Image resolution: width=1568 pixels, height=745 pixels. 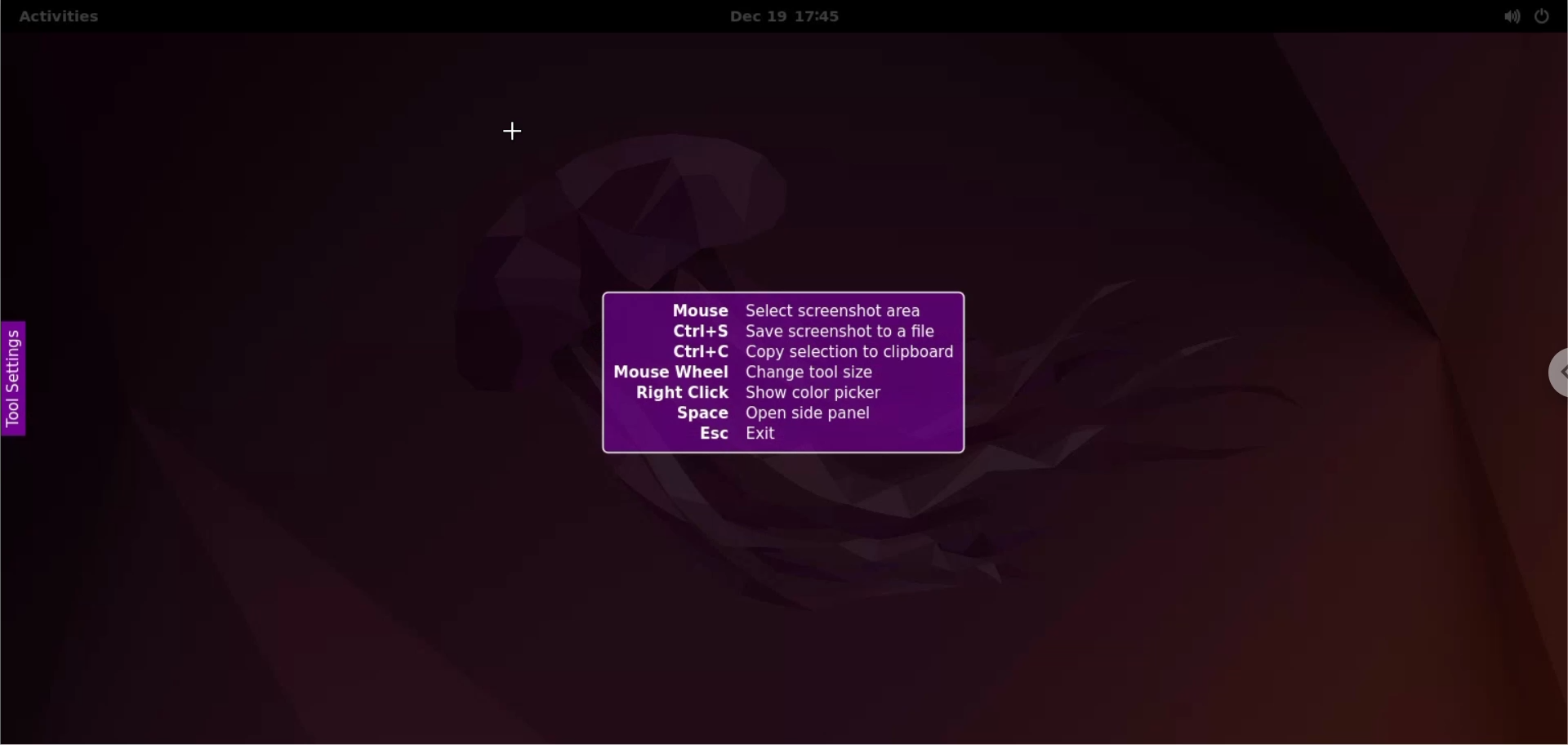 What do you see at coordinates (784, 372) in the screenshot?
I see `Mouse Select screenshot areaCtrl+S Save screenshot to a fileCtrl+C Copy selection to clipboardMouse Wheel Change tool sizeRight Click Show color pickerSpace Open side panel Esc Exit` at bounding box center [784, 372].